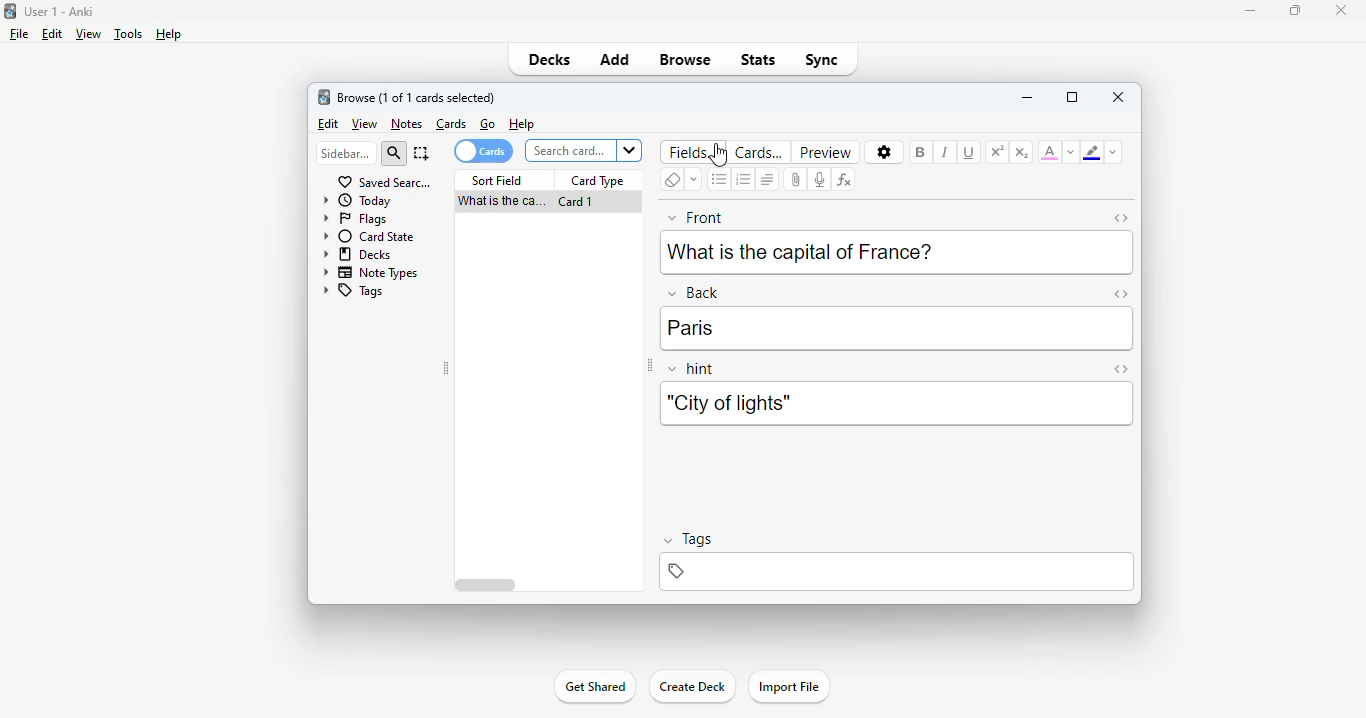 The height and width of the screenshot is (718, 1366). Describe the element at coordinates (696, 216) in the screenshot. I see `front` at that location.